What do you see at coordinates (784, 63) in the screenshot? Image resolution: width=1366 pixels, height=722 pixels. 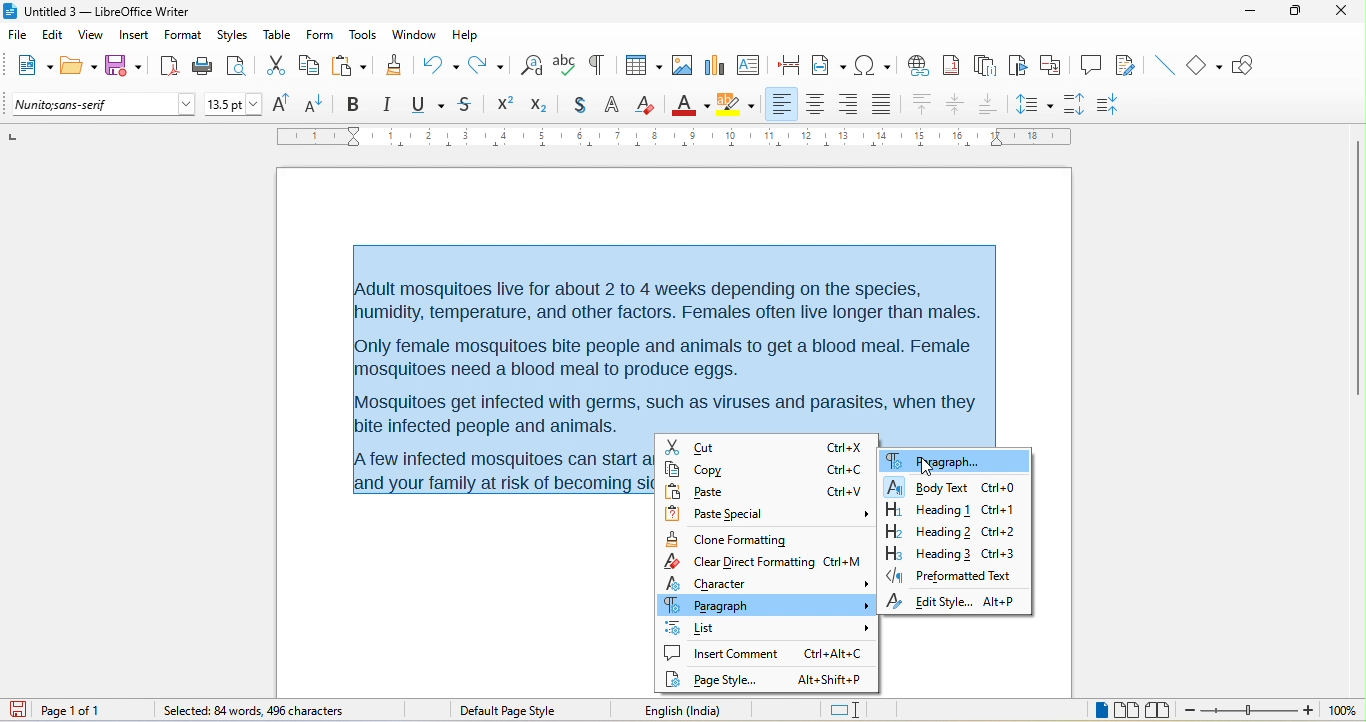 I see `page break` at bounding box center [784, 63].